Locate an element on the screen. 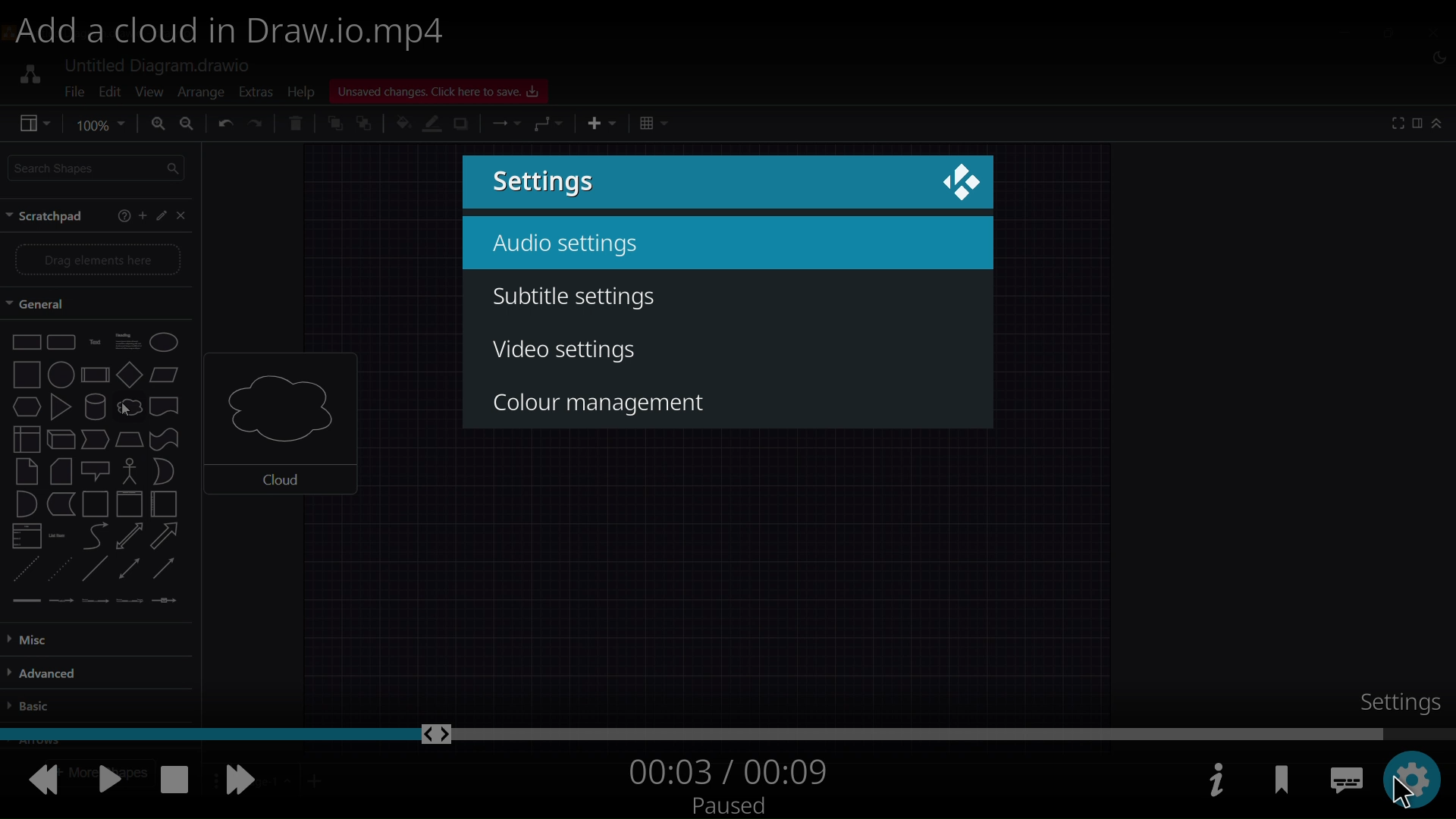 This screenshot has height=819, width=1456. Add a cloud in Draw.io.mp4 is located at coordinates (240, 32).